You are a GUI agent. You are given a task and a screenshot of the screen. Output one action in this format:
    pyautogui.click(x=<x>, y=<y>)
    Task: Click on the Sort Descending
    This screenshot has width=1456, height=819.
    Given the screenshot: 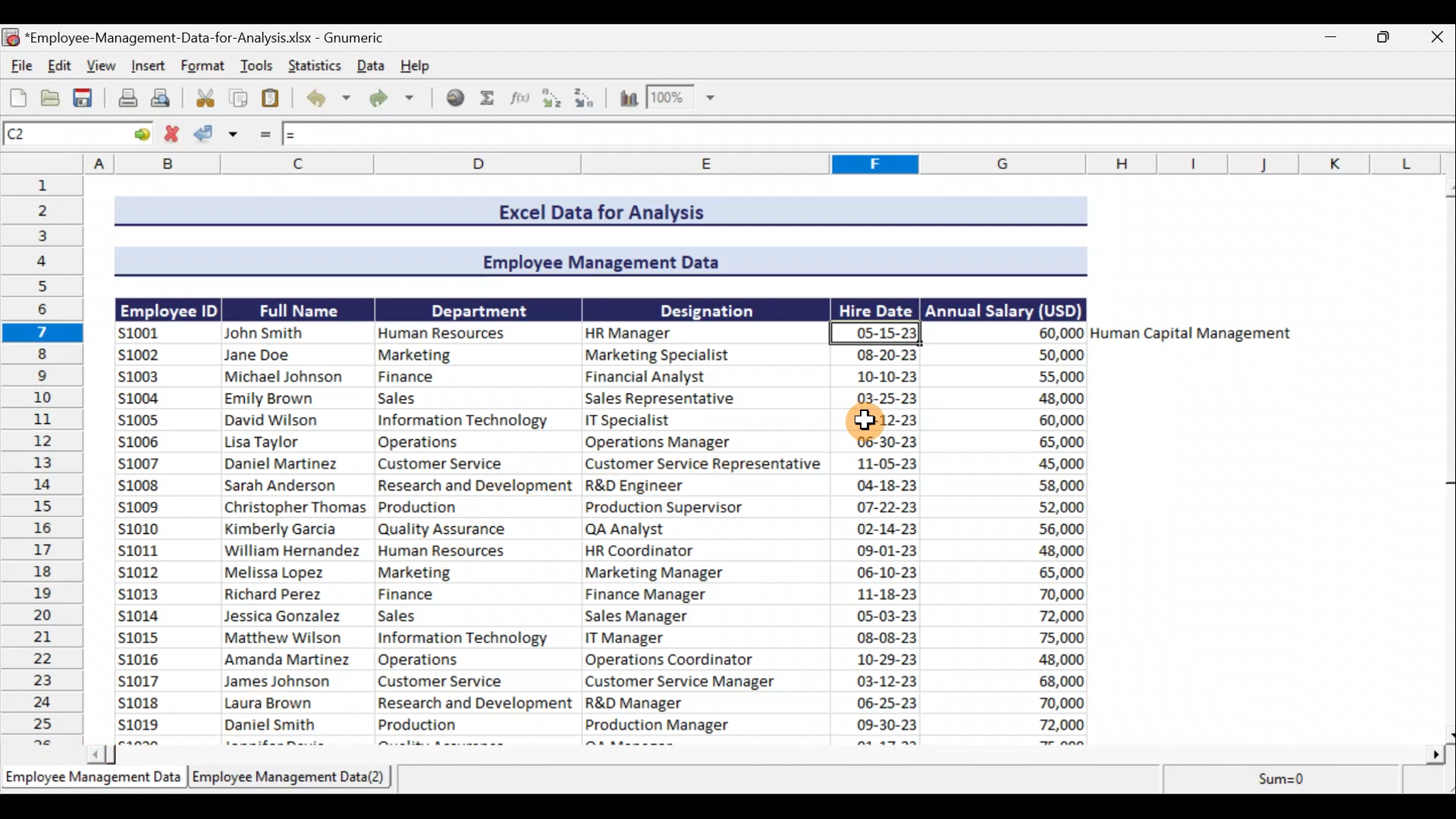 What is the action you would take?
    pyautogui.click(x=589, y=99)
    